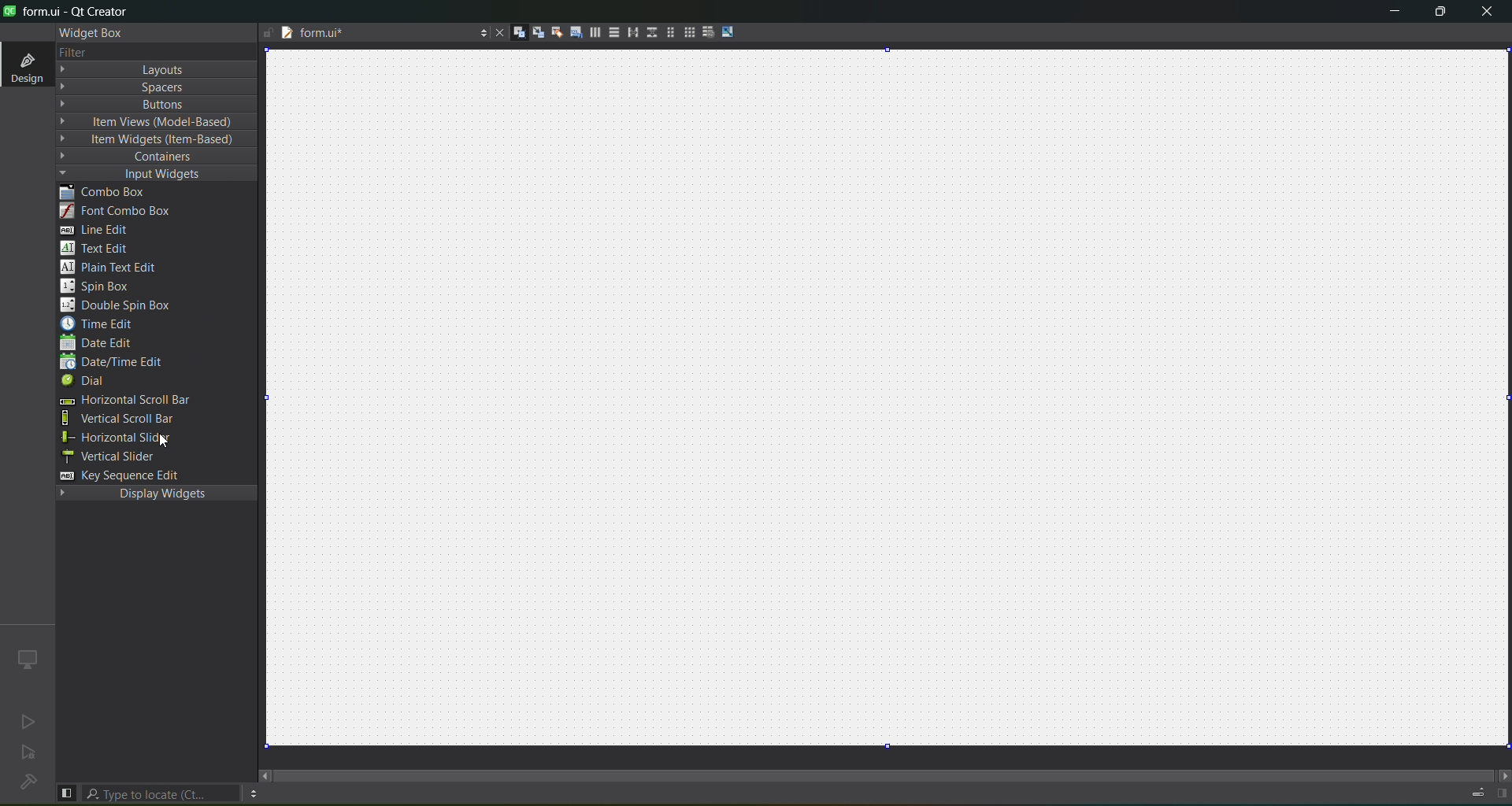 The image size is (1512, 806). I want to click on move right, so click(265, 775).